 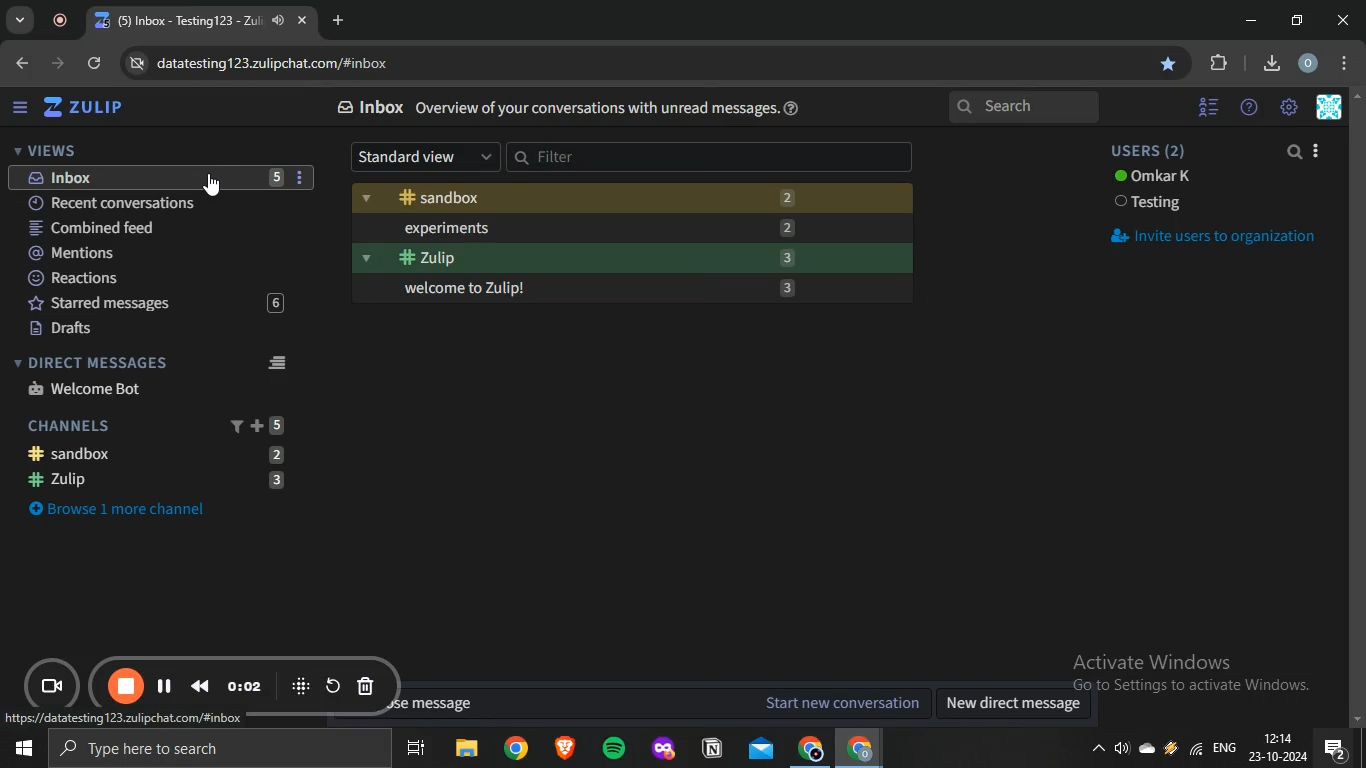 I want to click on inbox, so click(x=153, y=177).